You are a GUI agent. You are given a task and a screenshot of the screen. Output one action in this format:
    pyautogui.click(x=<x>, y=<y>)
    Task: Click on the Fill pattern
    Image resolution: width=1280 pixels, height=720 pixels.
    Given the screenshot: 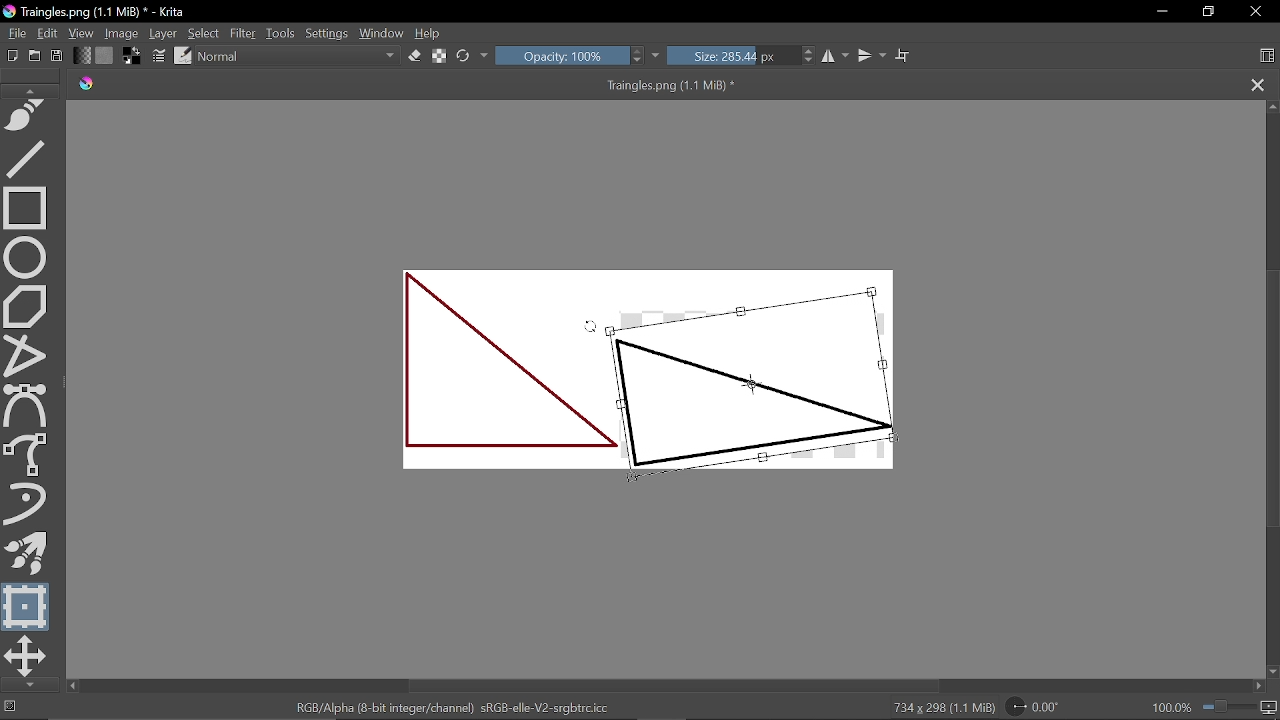 What is the action you would take?
    pyautogui.click(x=105, y=56)
    